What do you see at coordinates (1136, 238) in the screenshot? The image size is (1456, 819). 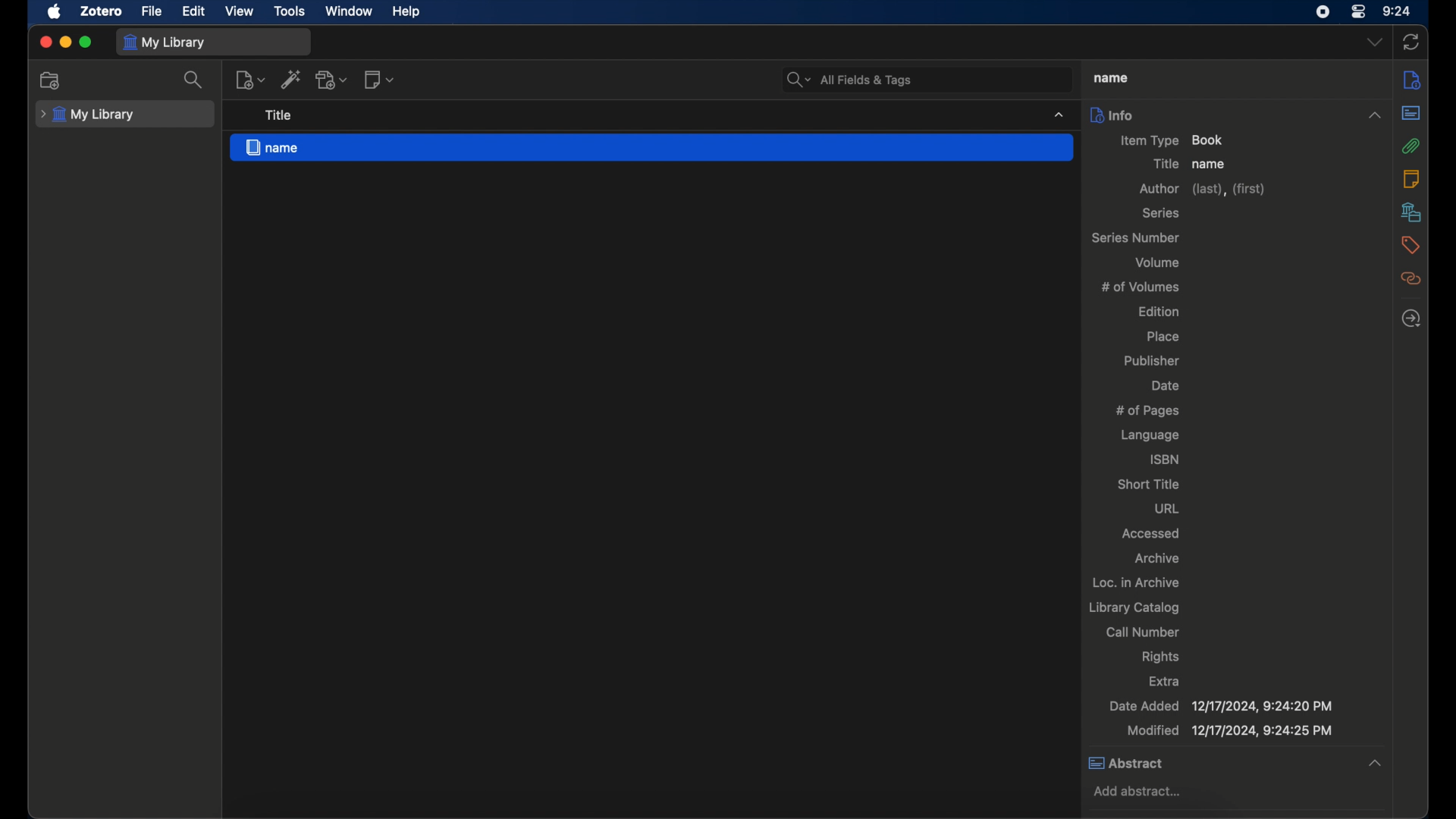 I see `series number` at bounding box center [1136, 238].